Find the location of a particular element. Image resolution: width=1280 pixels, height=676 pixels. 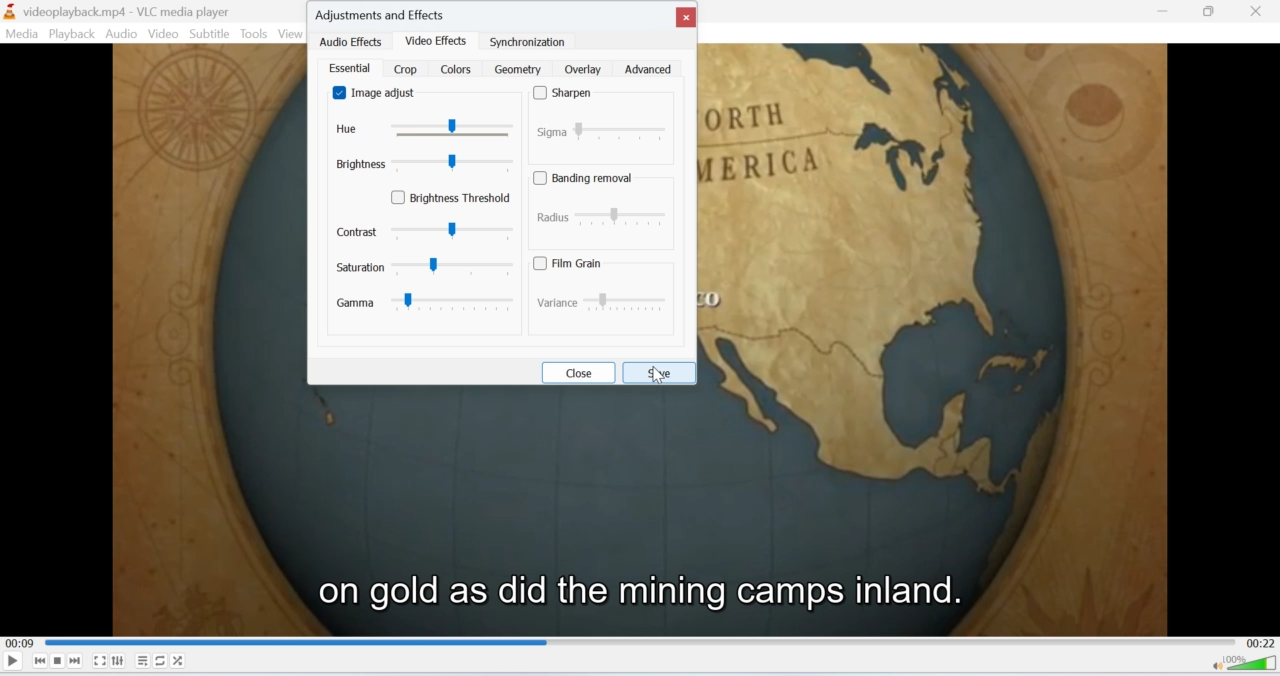

minimise is located at coordinates (1165, 12).